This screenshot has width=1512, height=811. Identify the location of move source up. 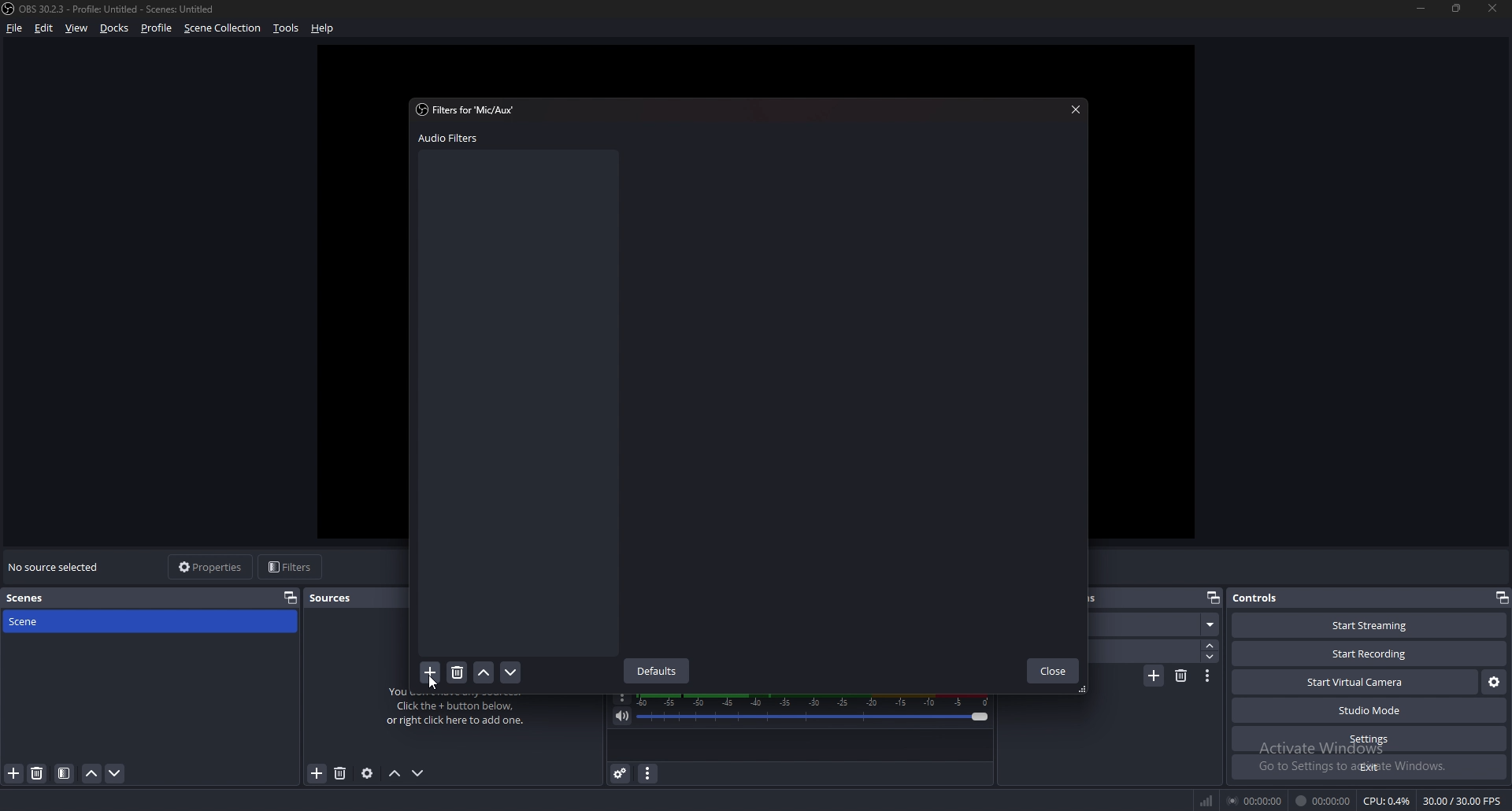
(395, 774).